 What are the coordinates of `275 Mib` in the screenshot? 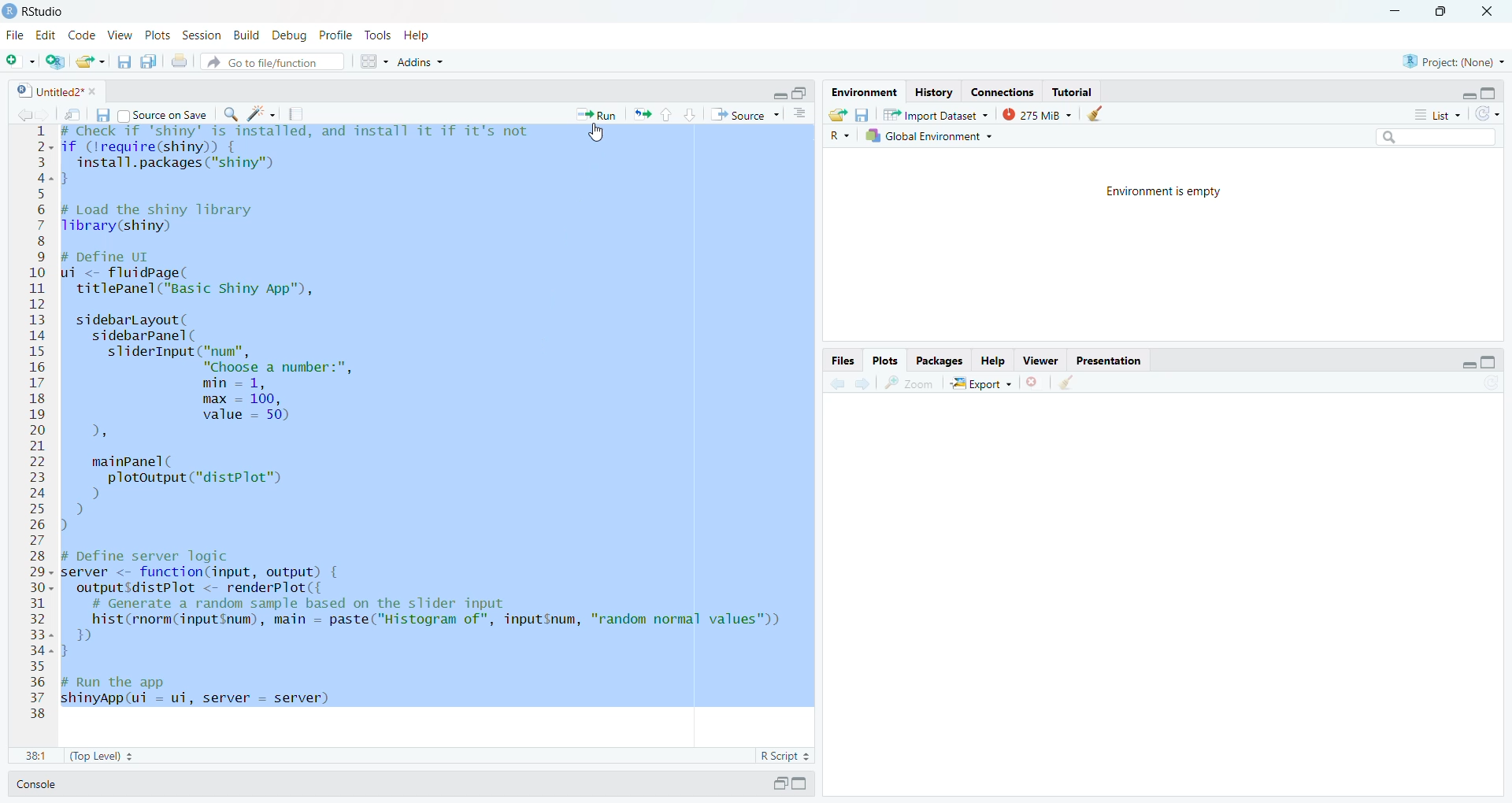 It's located at (1038, 113).